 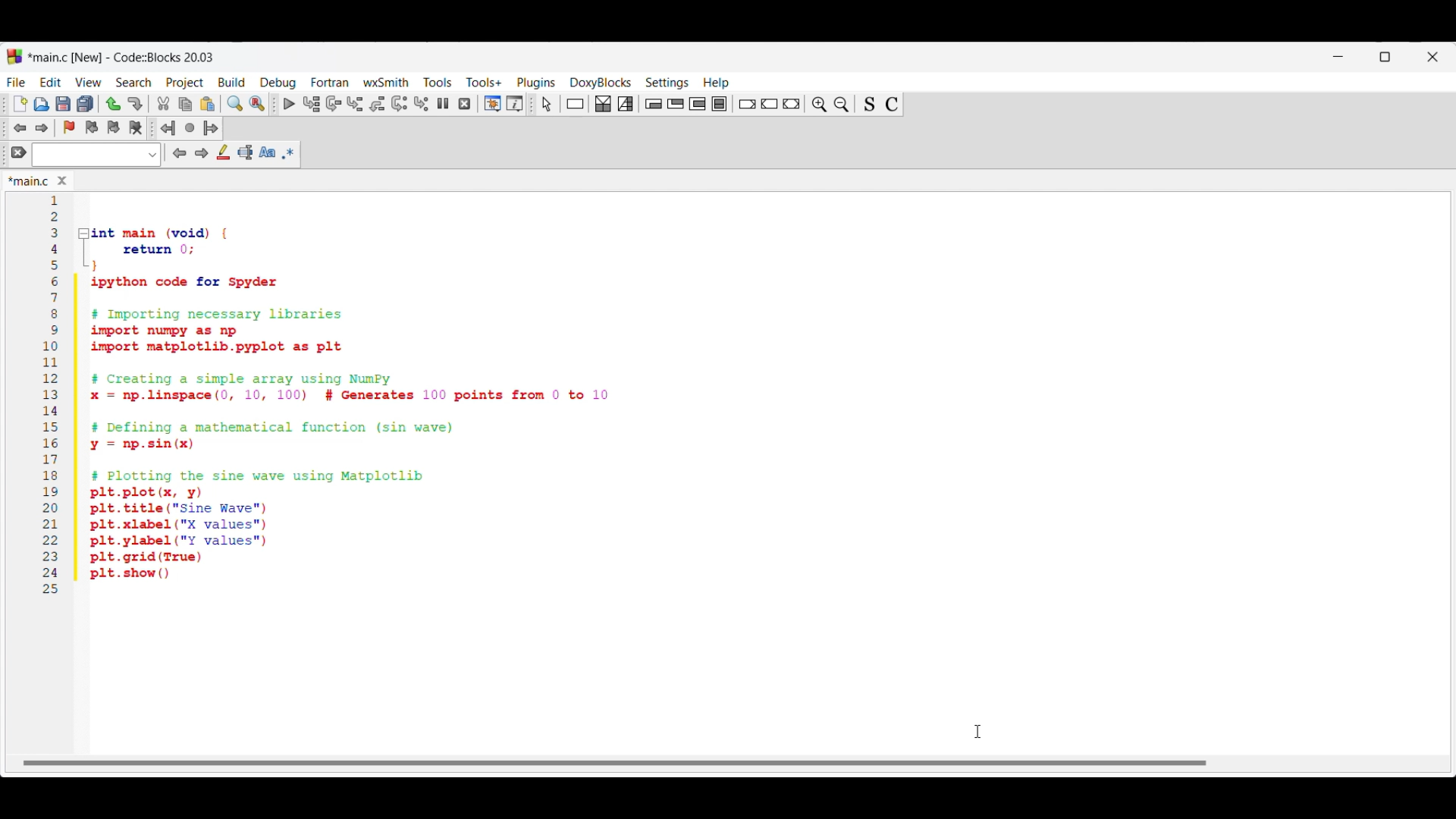 What do you see at coordinates (133, 83) in the screenshot?
I see `Search menu` at bounding box center [133, 83].